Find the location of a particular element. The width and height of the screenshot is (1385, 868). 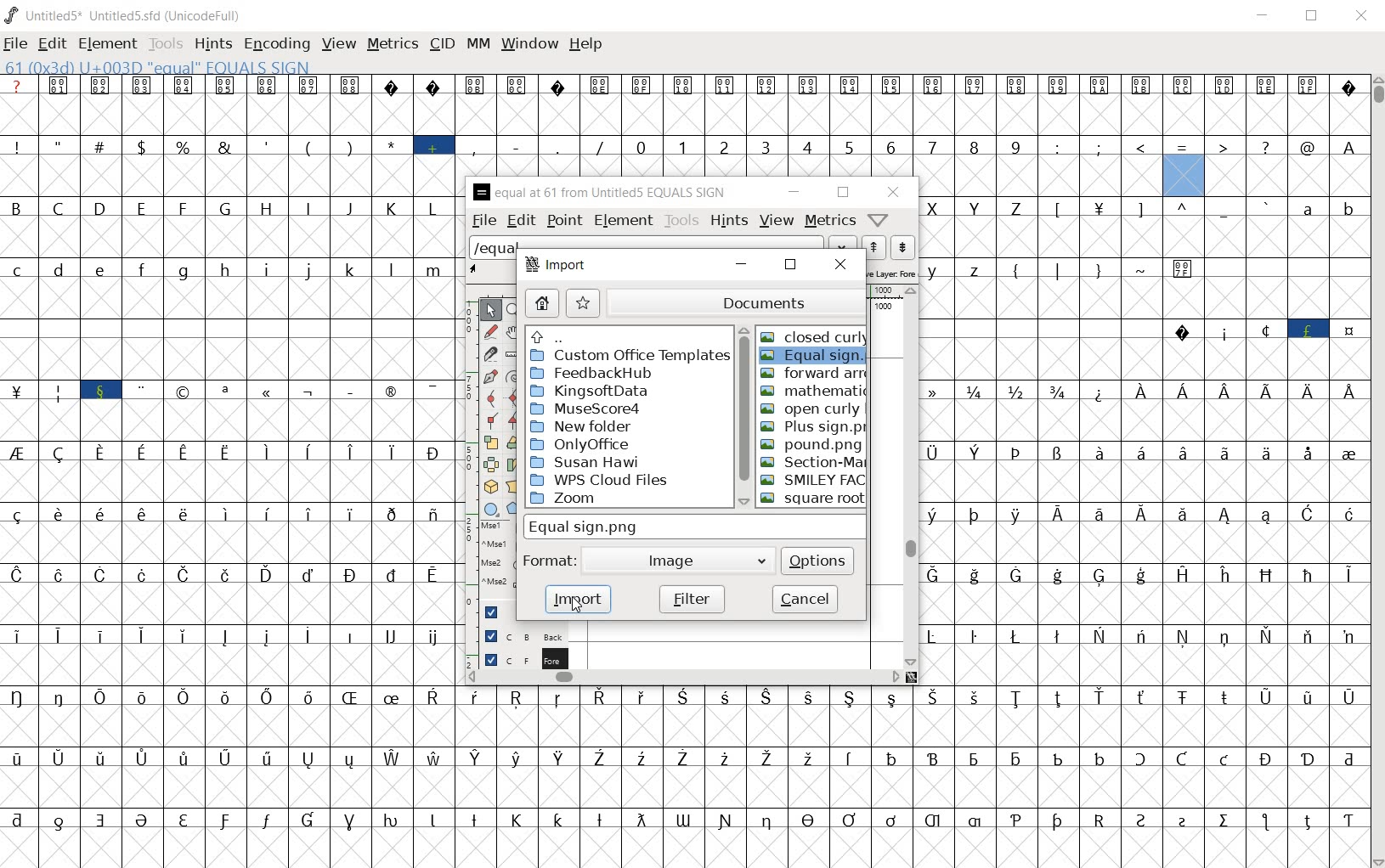

tools is located at coordinates (164, 42).